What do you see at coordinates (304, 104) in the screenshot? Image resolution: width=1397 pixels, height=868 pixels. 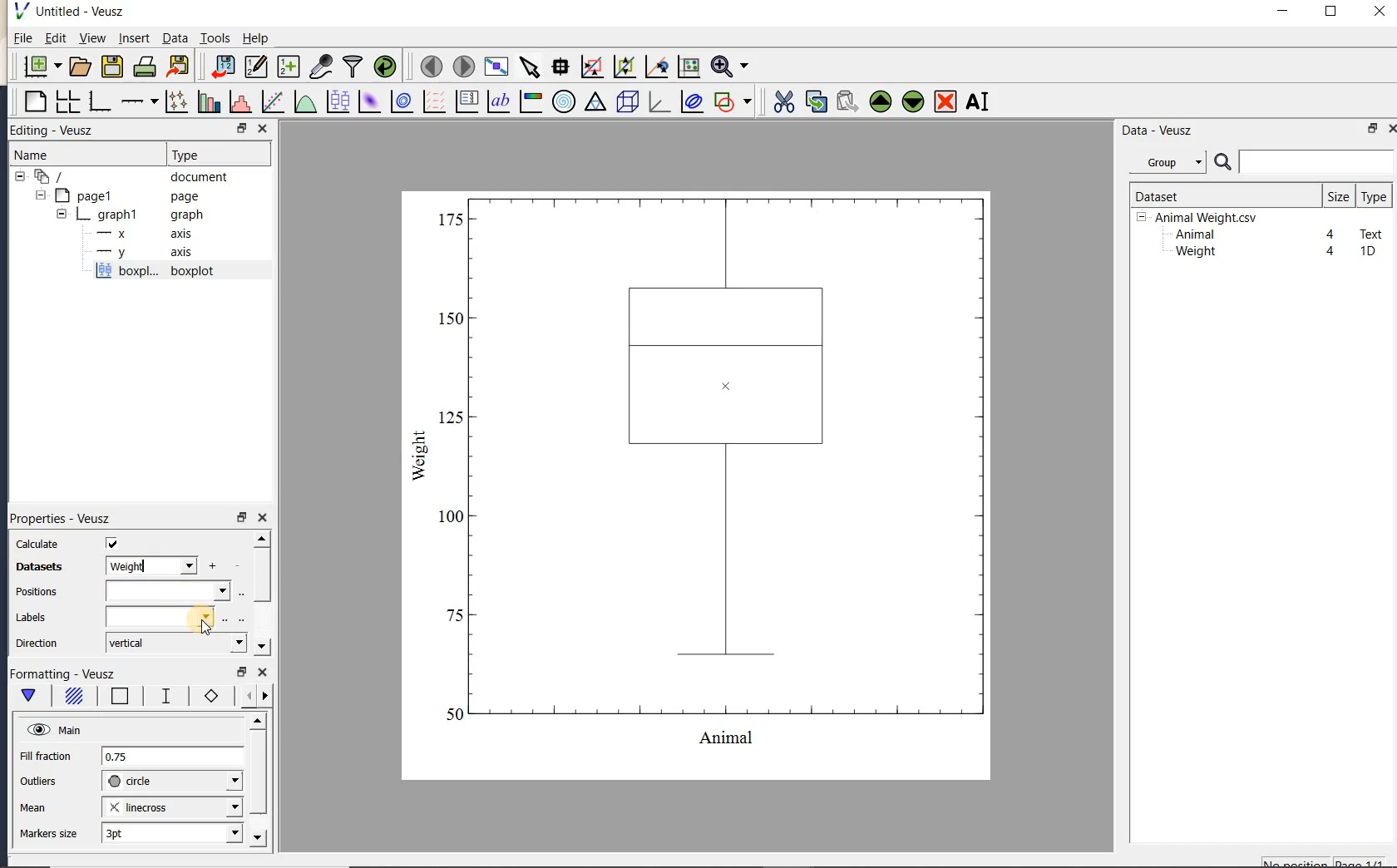 I see `plot a function` at bounding box center [304, 104].